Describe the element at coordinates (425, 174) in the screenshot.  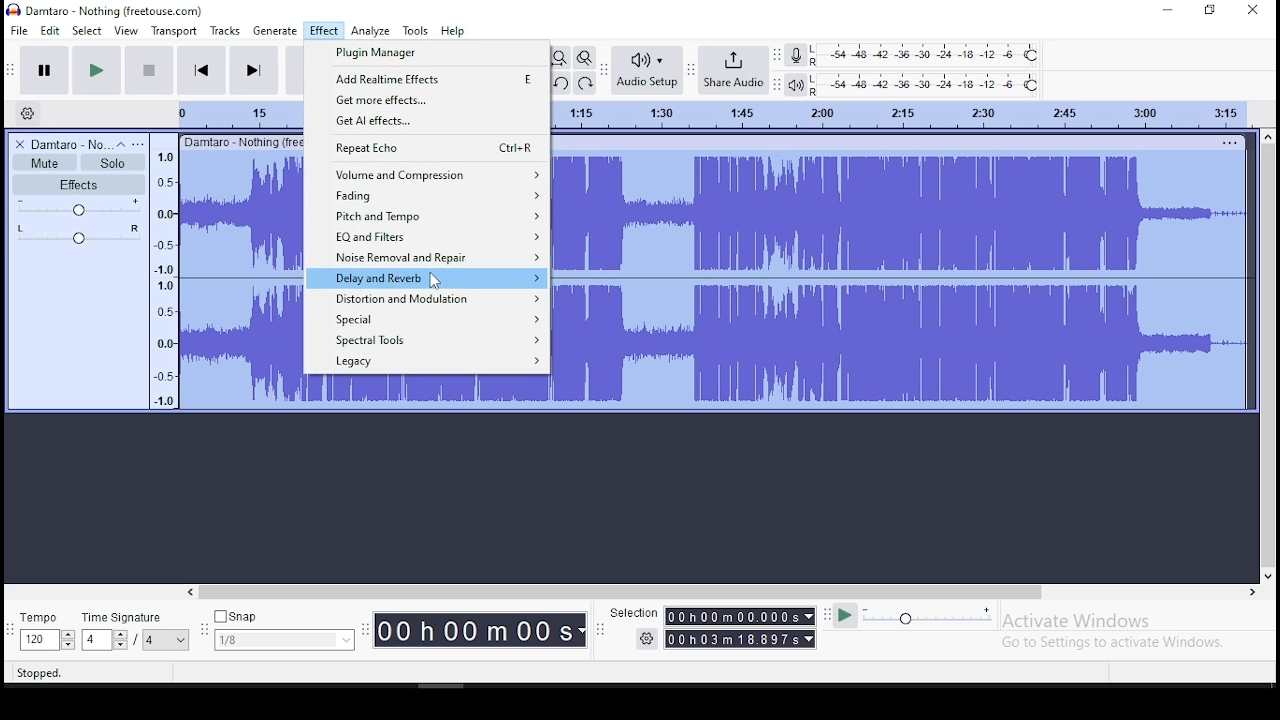
I see `volume and compresion` at that location.